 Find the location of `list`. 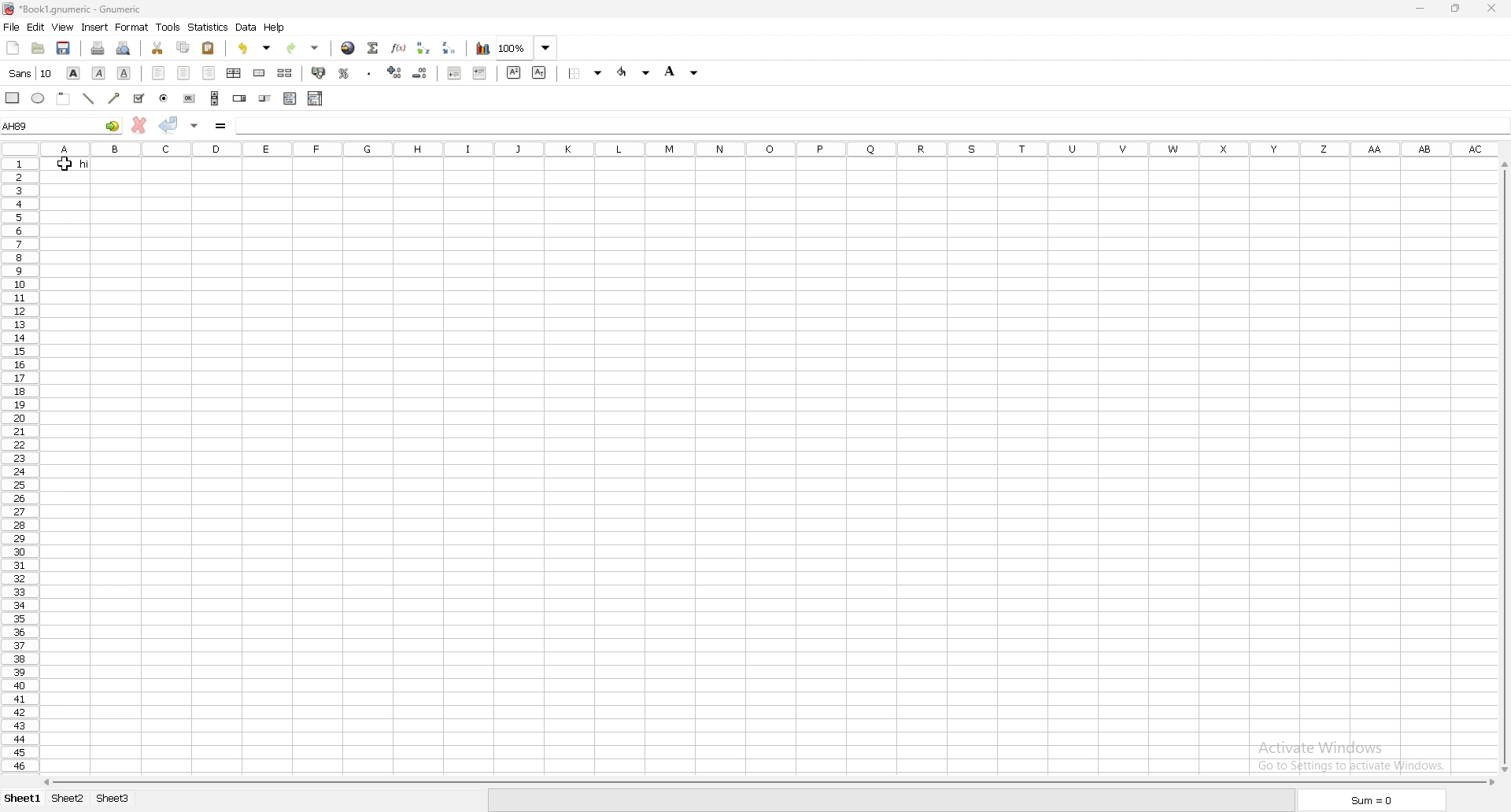

list is located at coordinates (290, 98).